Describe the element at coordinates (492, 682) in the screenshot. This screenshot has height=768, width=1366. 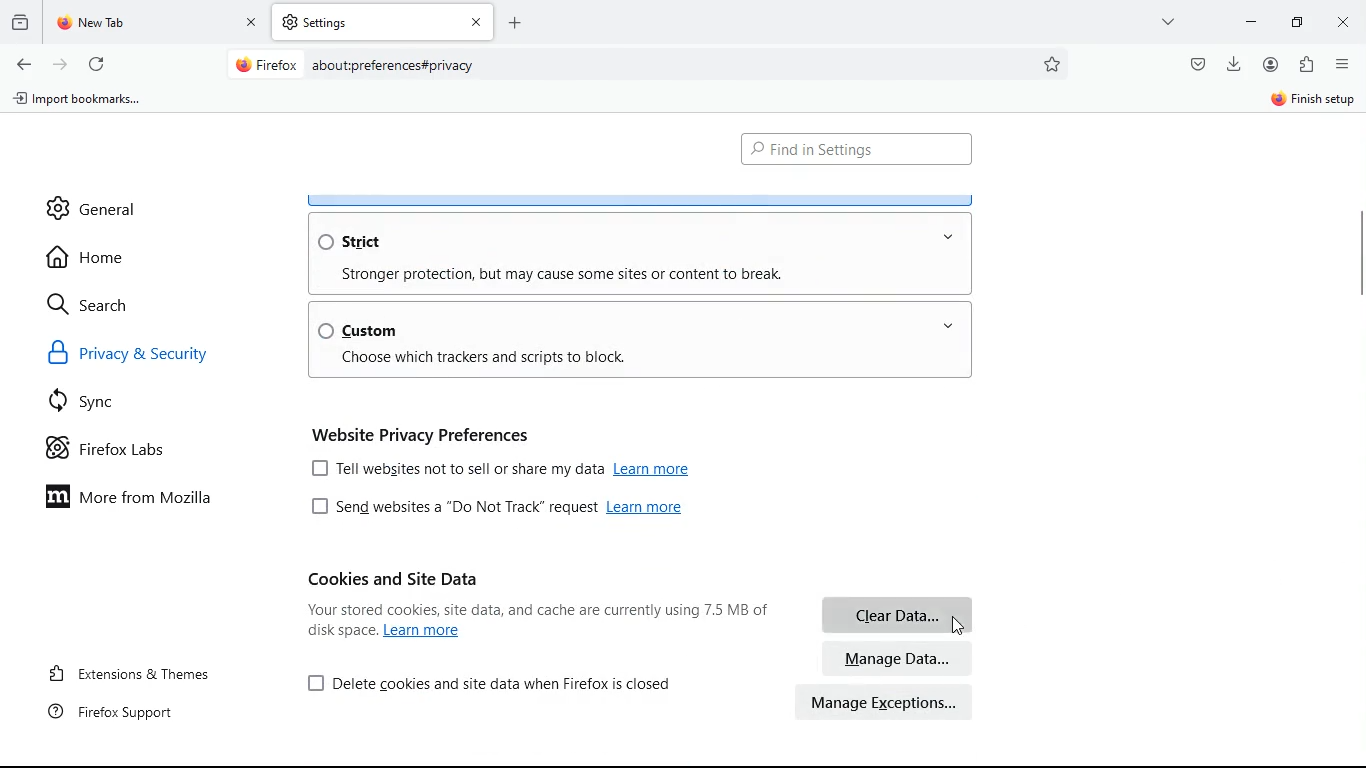
I see `[J Delete cookies and site data when Firefox is closed` at that location.